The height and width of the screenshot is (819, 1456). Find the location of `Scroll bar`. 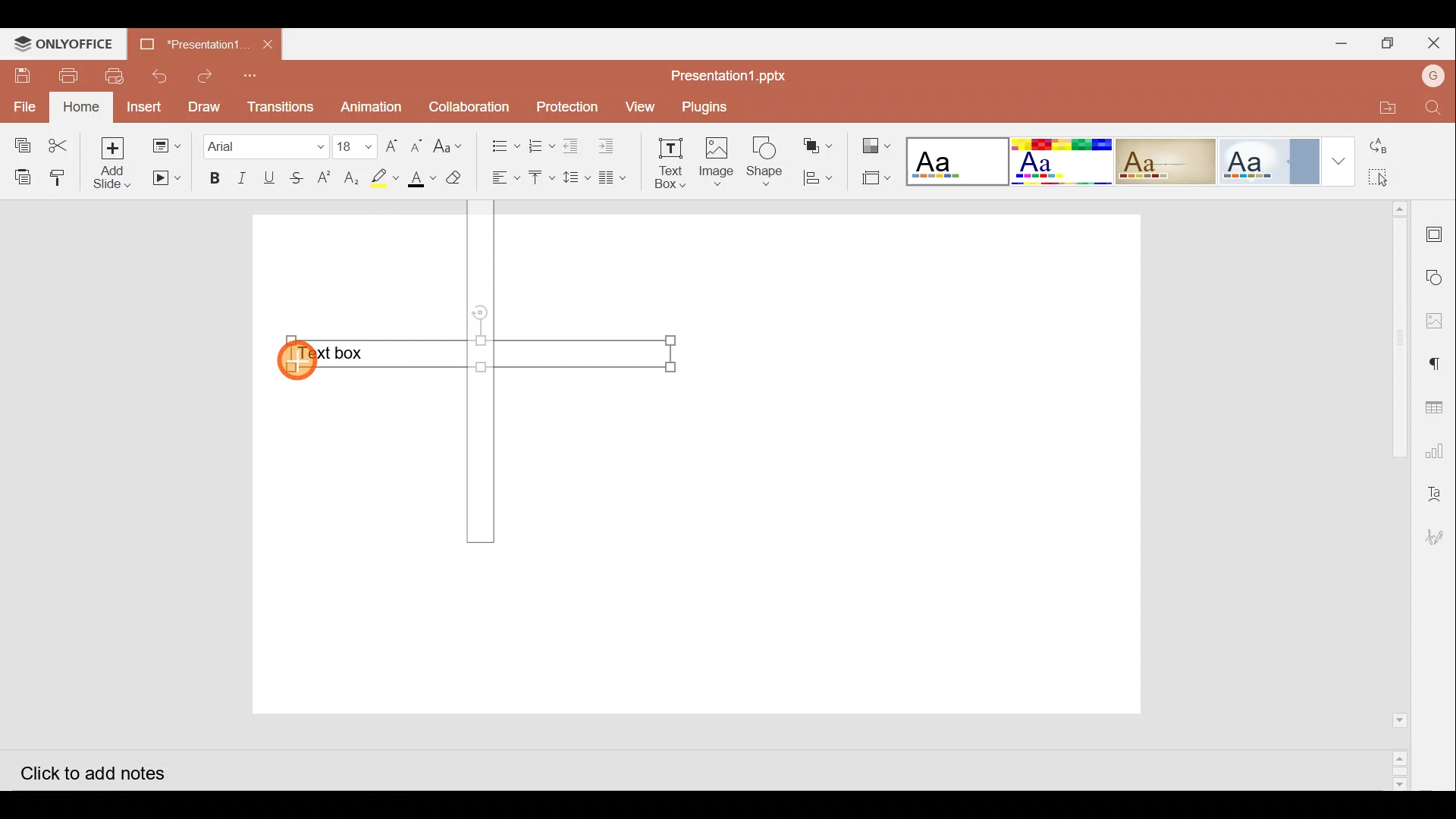

Scroll bar is located at coordinates (1394, 495).